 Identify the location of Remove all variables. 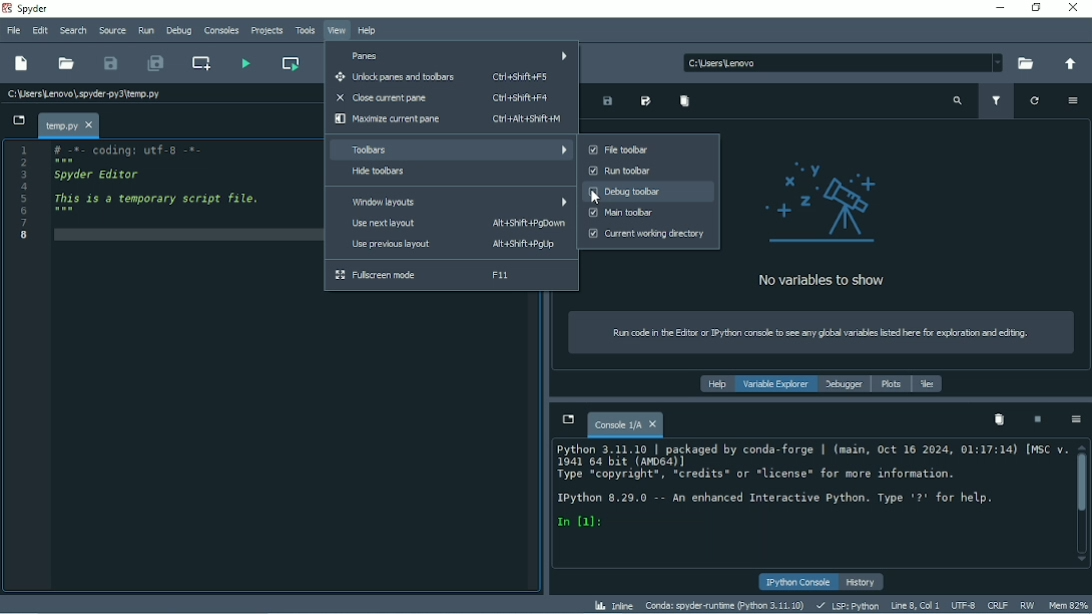
(684, 101).